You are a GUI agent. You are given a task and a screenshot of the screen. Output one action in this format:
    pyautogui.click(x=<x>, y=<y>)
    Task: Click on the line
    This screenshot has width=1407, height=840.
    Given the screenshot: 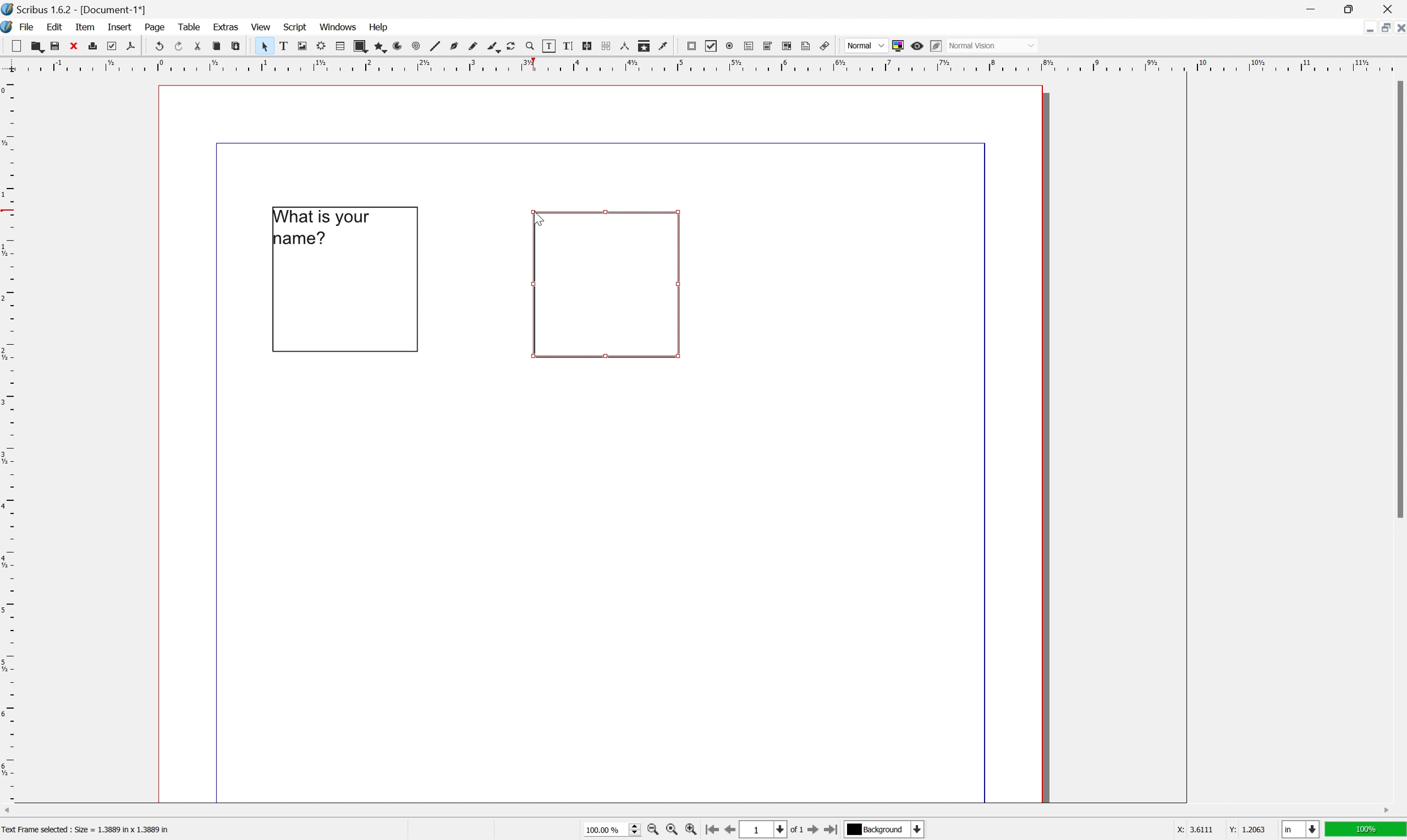 What is the action you would take?
    pyautogui.click(x=435, y=47)
    